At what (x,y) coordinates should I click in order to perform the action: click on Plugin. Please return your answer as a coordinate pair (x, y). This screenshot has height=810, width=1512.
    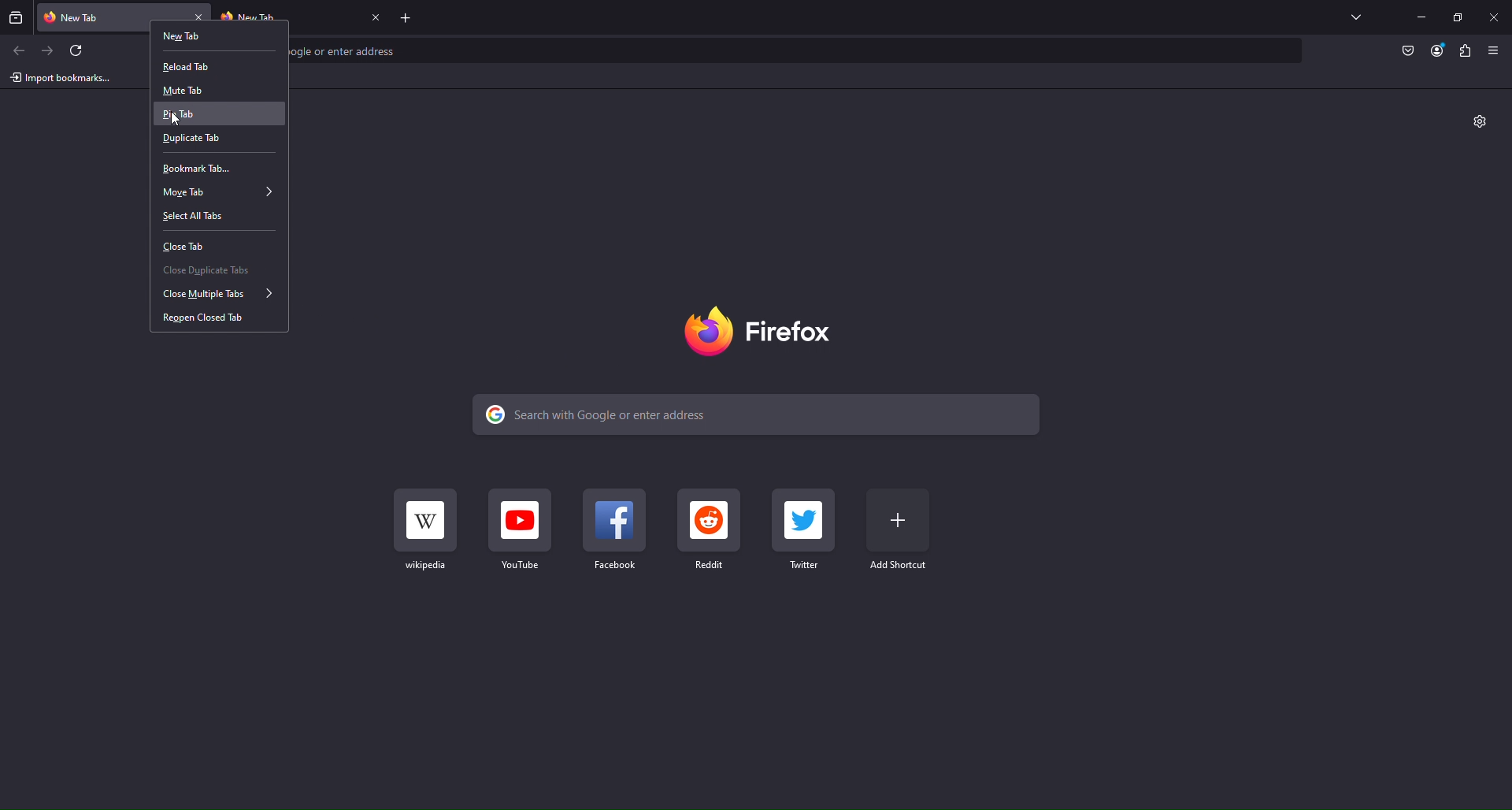
    Looking at the image, I should click on (1467, 51).